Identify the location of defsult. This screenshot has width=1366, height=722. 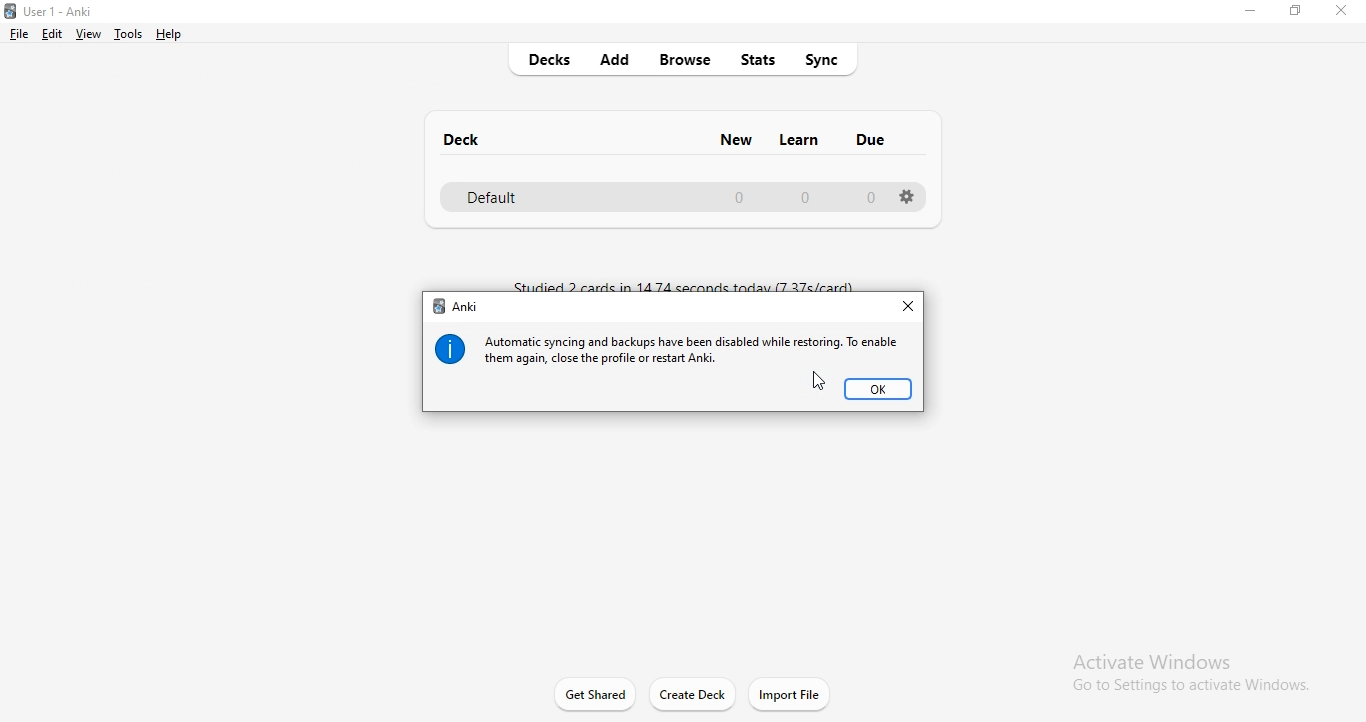
(671, 196).